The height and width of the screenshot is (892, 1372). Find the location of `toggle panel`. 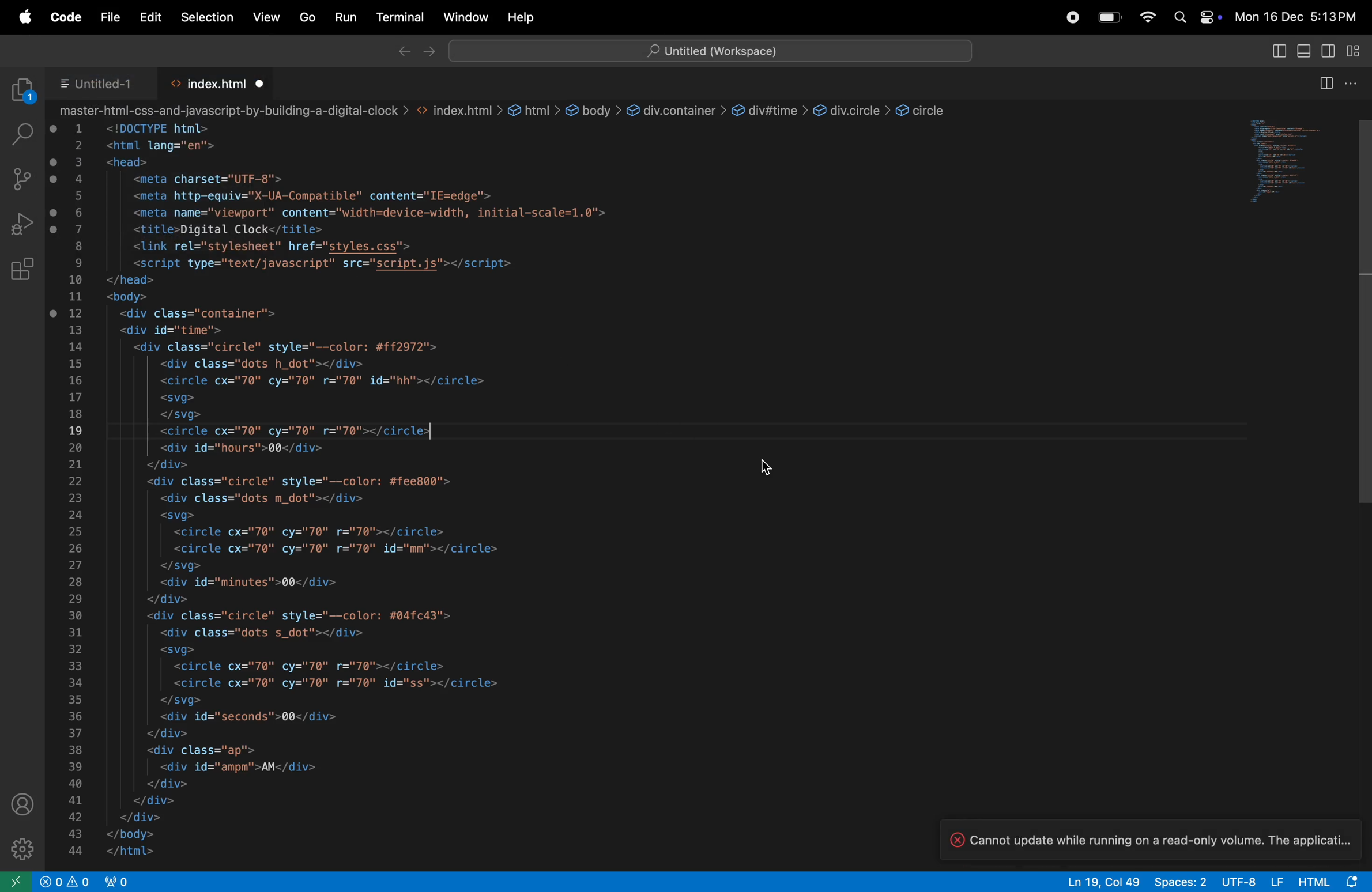

toggle panel is located at coordinates (1327, 52).